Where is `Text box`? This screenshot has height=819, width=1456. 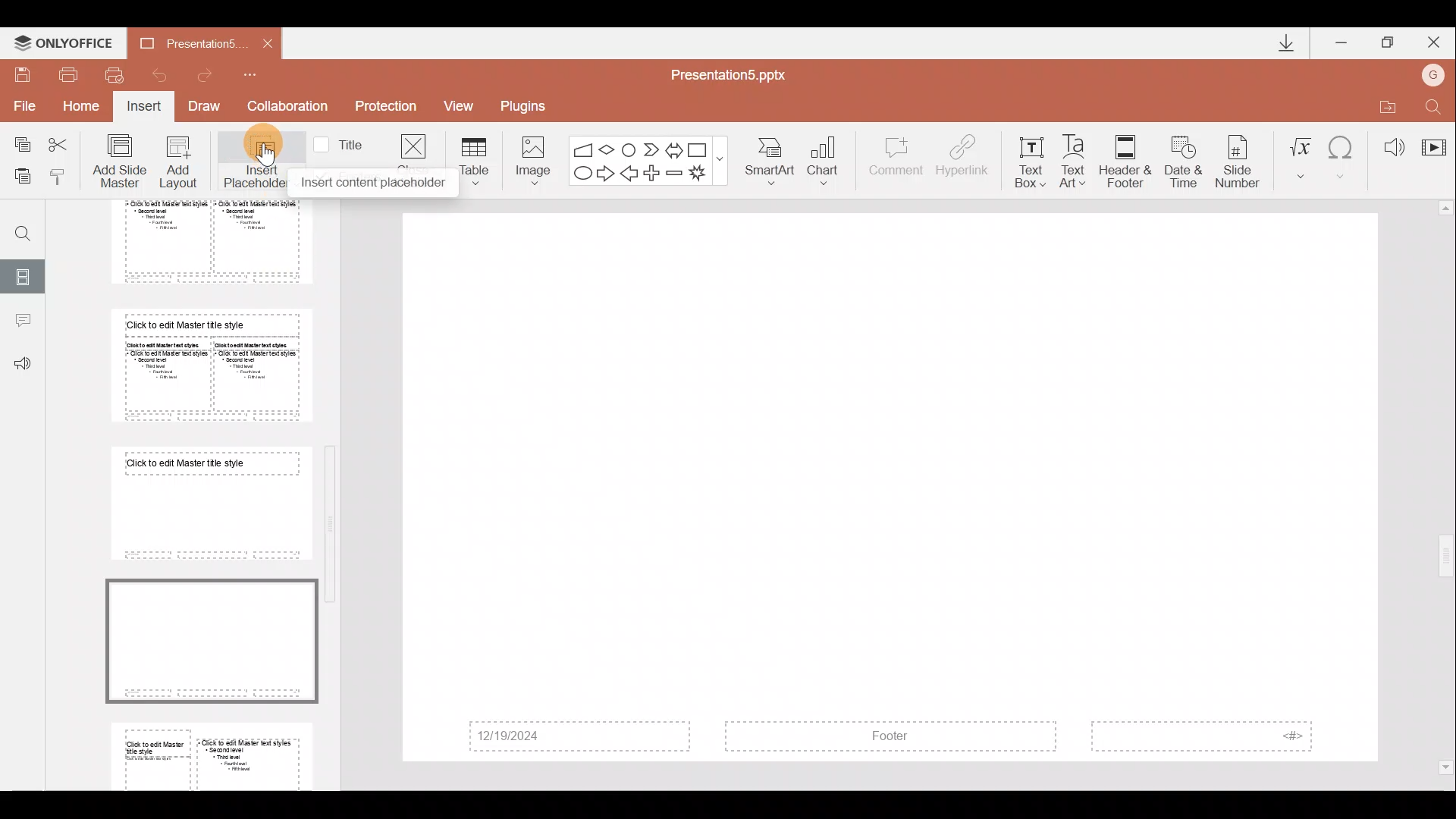 Text box is located at coordinates (1030, 158).